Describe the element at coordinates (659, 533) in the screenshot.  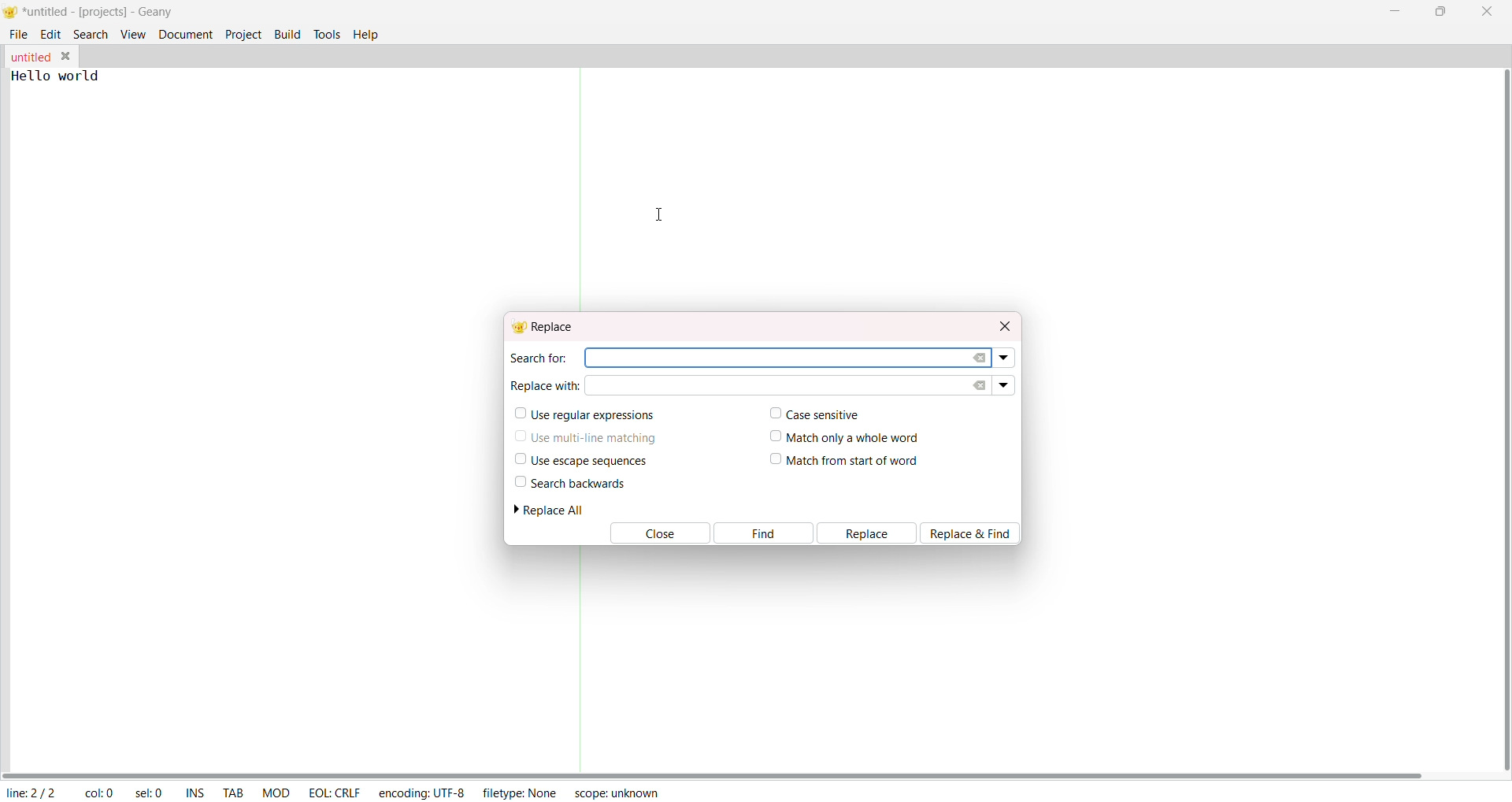
I see `close` at that location.